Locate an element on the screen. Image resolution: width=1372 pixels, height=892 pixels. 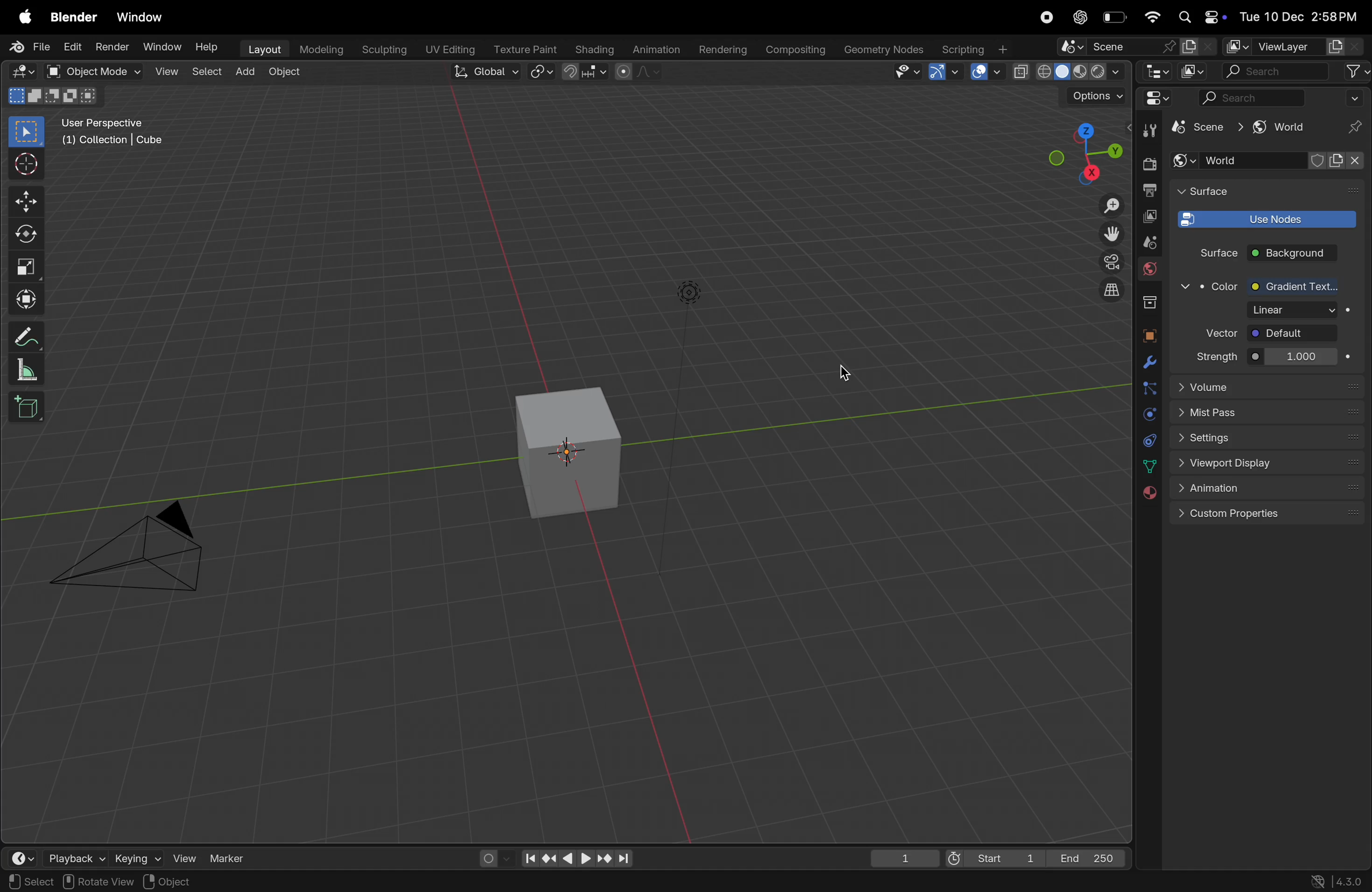
Composting is located at coordinates (798, 51).